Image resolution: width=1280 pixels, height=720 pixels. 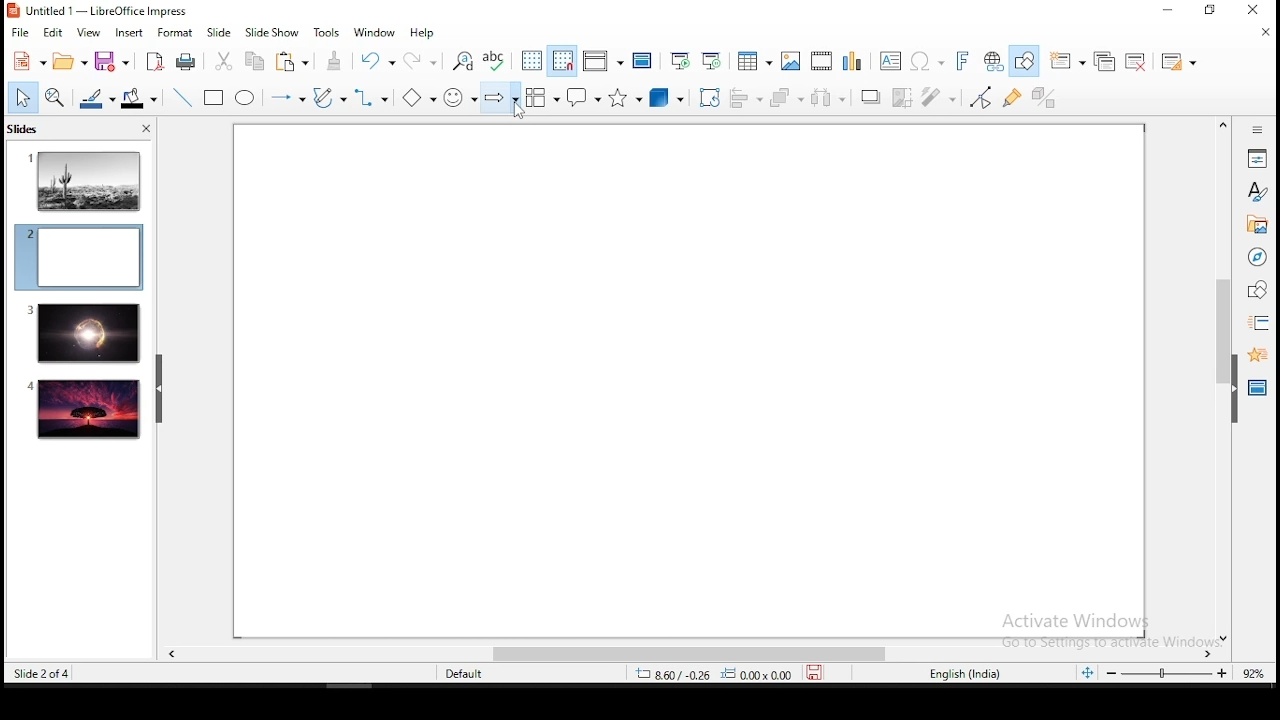 I want to click on close button, so click(x=145, y=129).